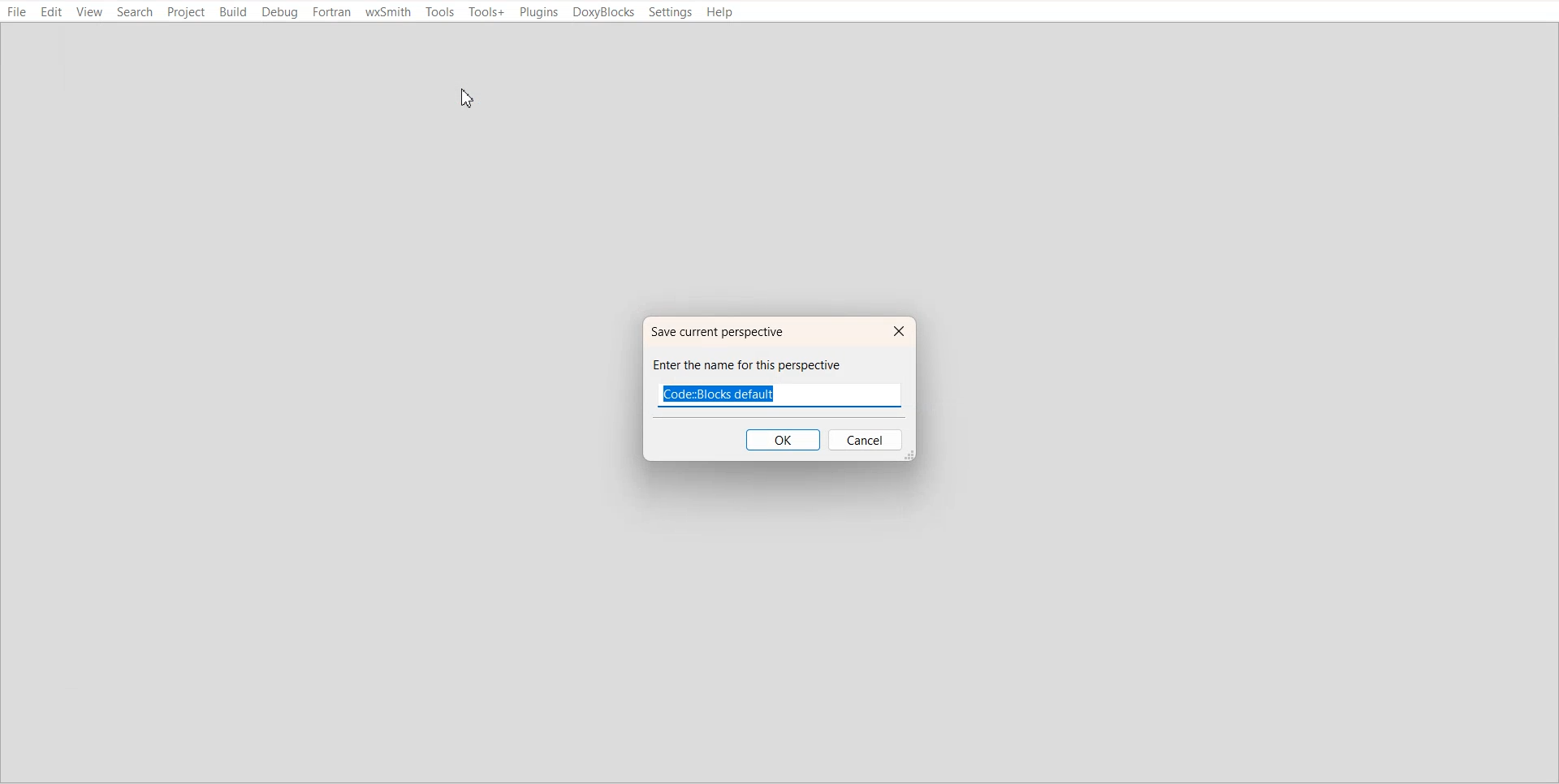 The image size is (1559, 784). I want to click on View, so click(89, 12).